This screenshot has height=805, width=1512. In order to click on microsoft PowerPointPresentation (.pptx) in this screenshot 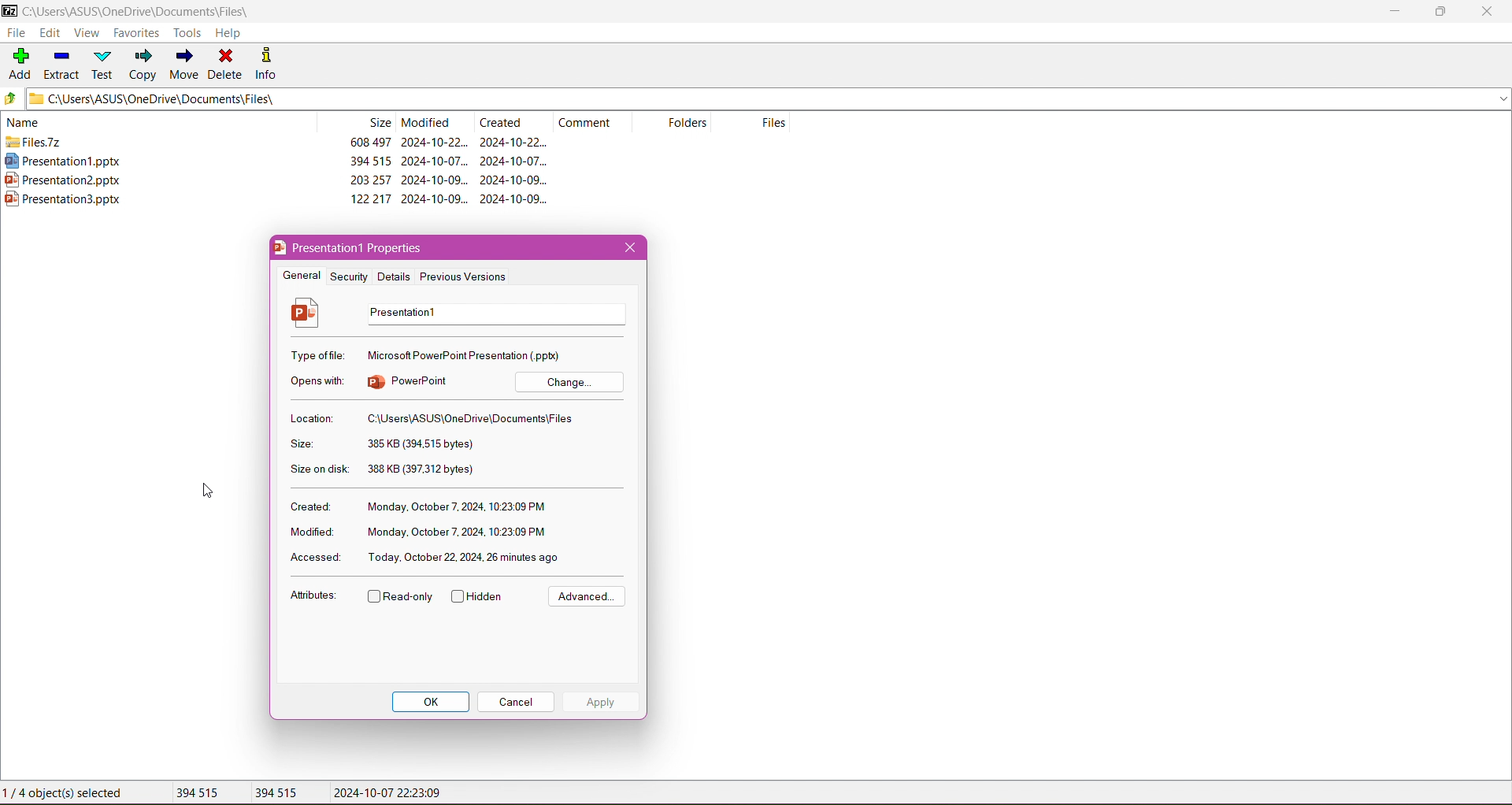, I will do `click(468, 354)`.